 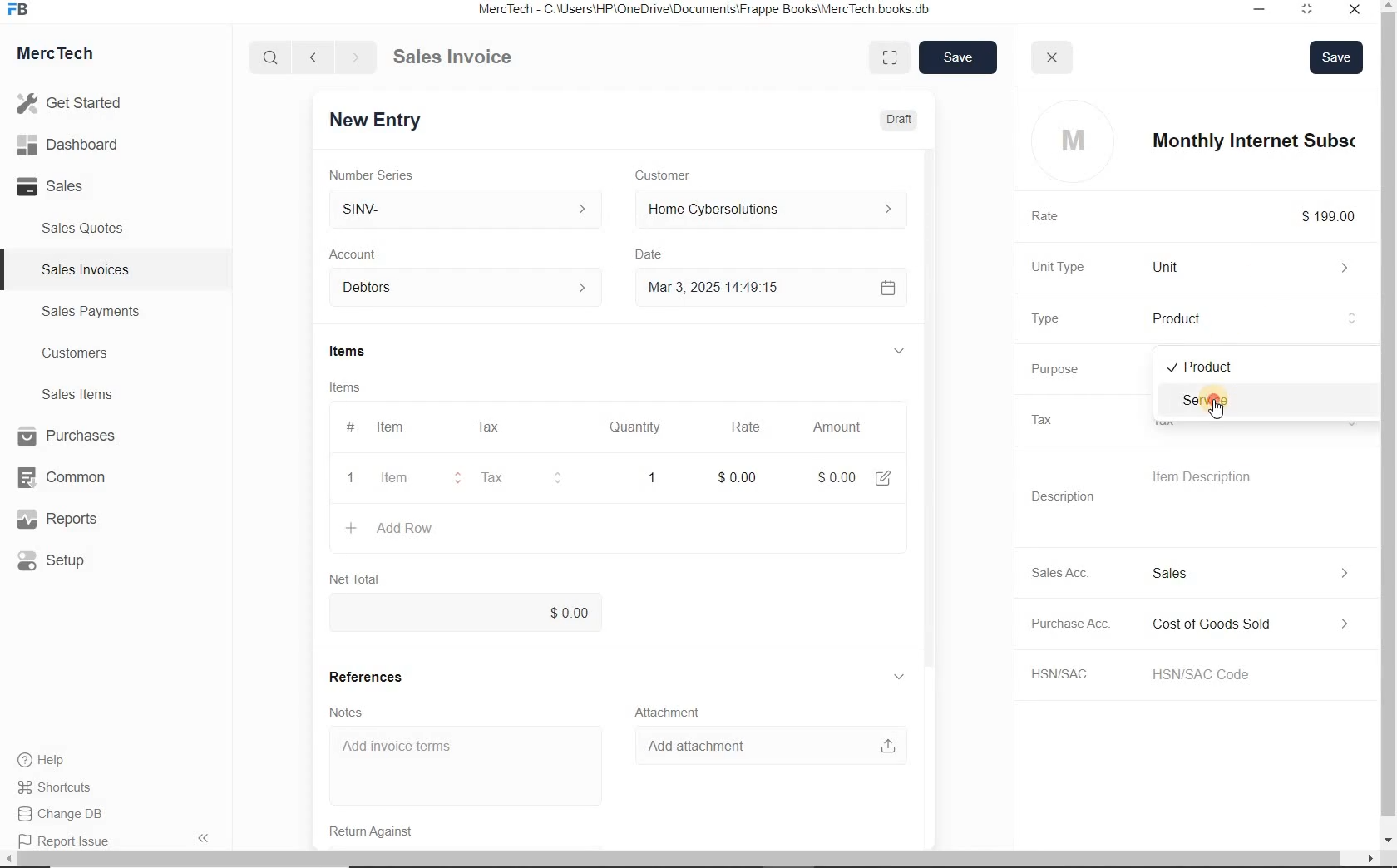 What do you see at coordinates (474, 766) in the screenshot?
I see `Add invoice terms` at bounding box center [474, 766].